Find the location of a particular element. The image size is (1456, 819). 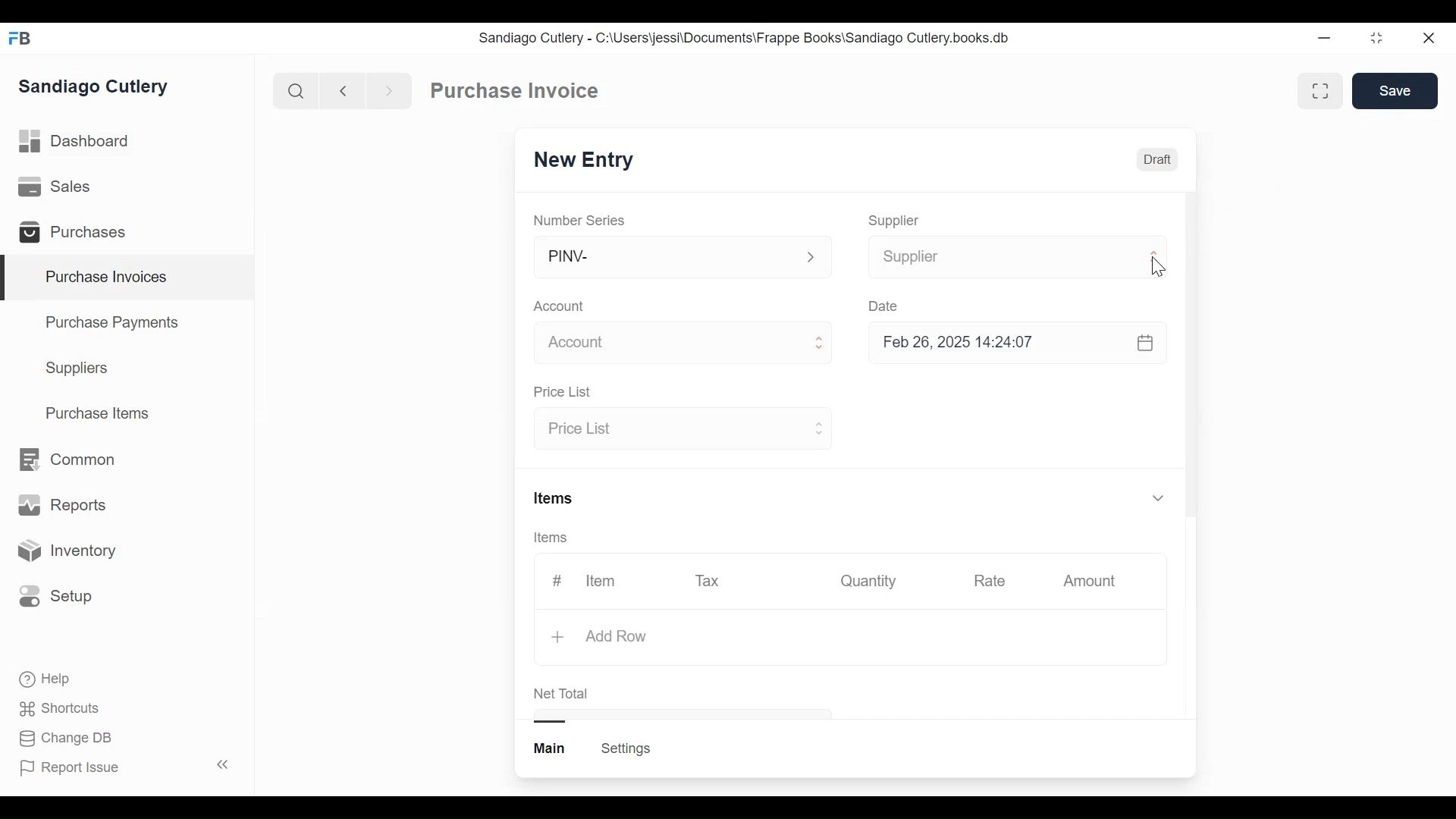

Price List is located at coordinates (561, 393).